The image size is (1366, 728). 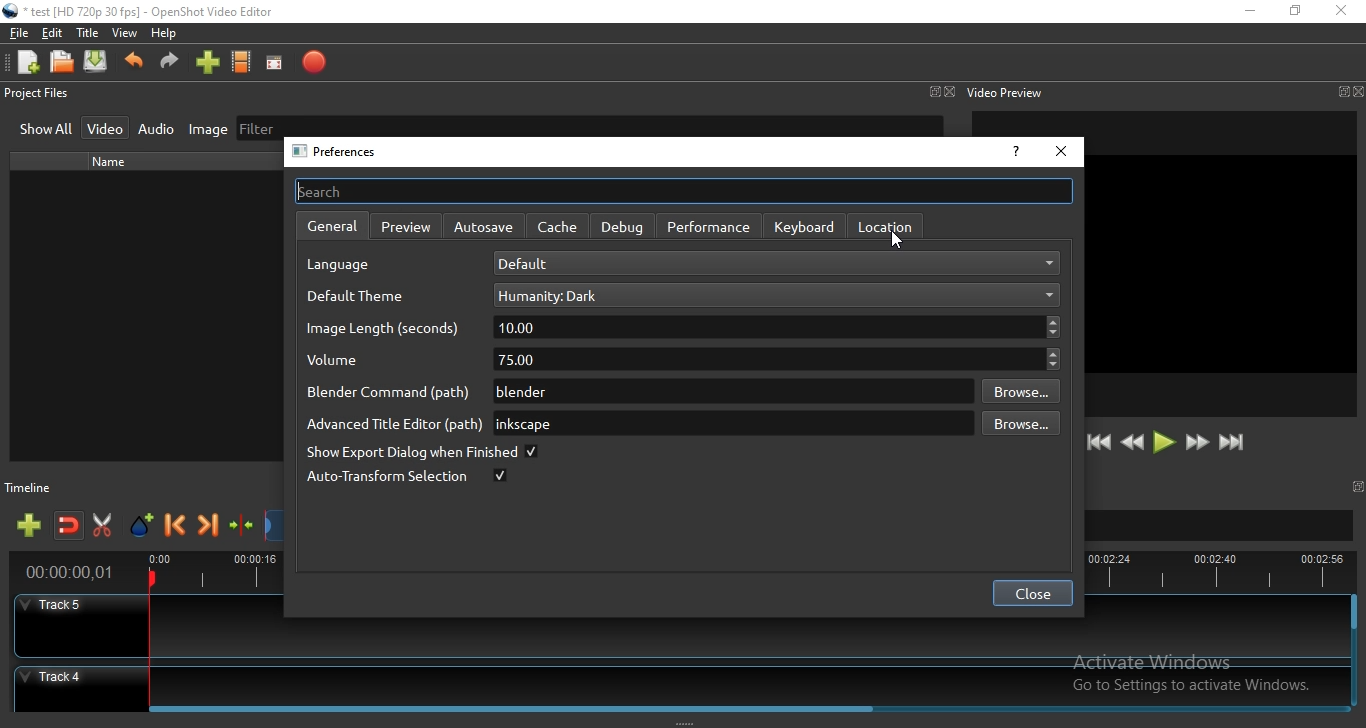 What do you see at coordinates (806, 226) in the screenshot?
I see `keyboard` at bounding box center [806, 226].